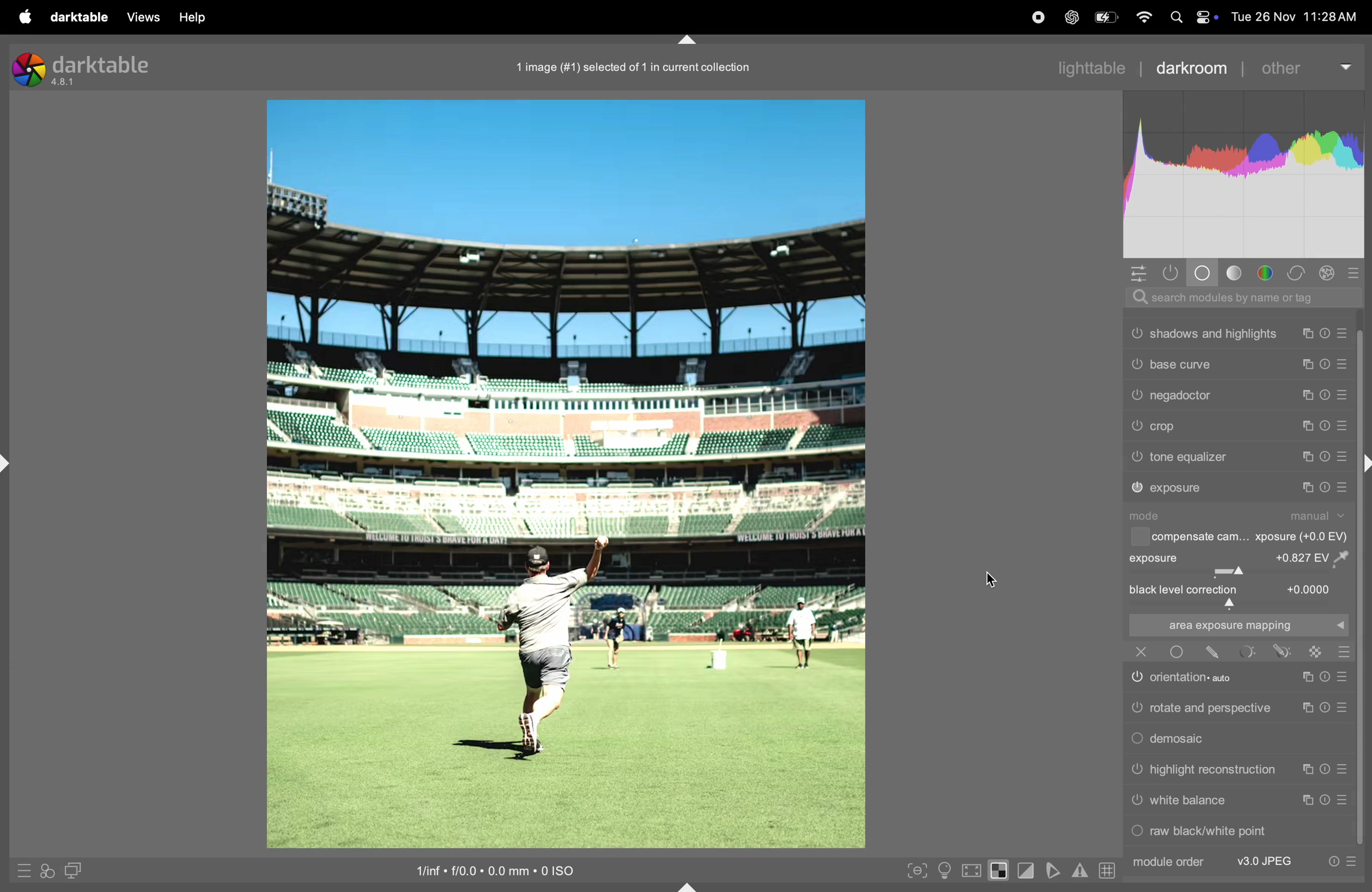 The image size is (1372, 892). Describe the element at coordinates (1145, 18) in the screenshot. I see `wifi` at that location.